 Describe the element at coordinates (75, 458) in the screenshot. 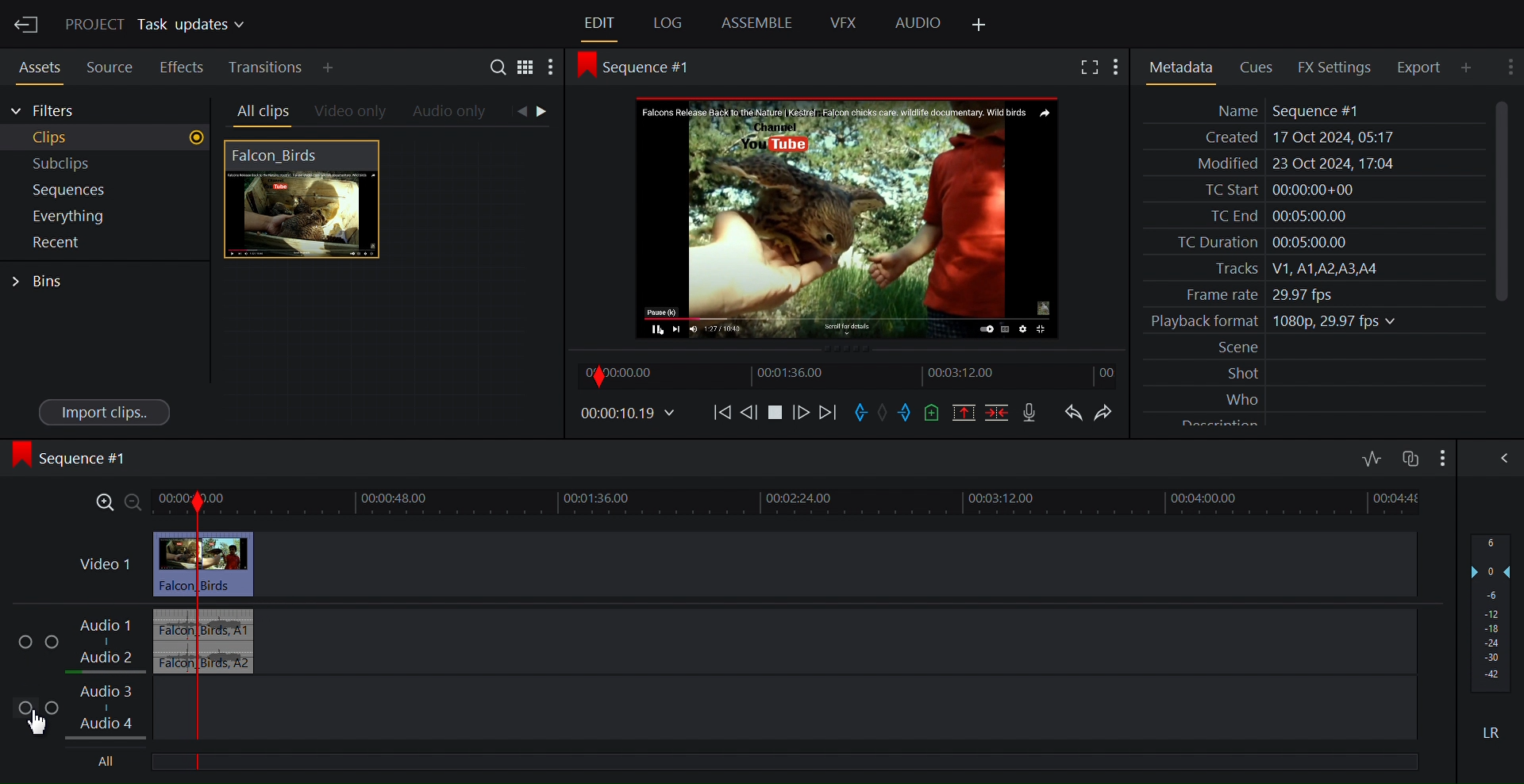

I see `Sequence #1` at that location.